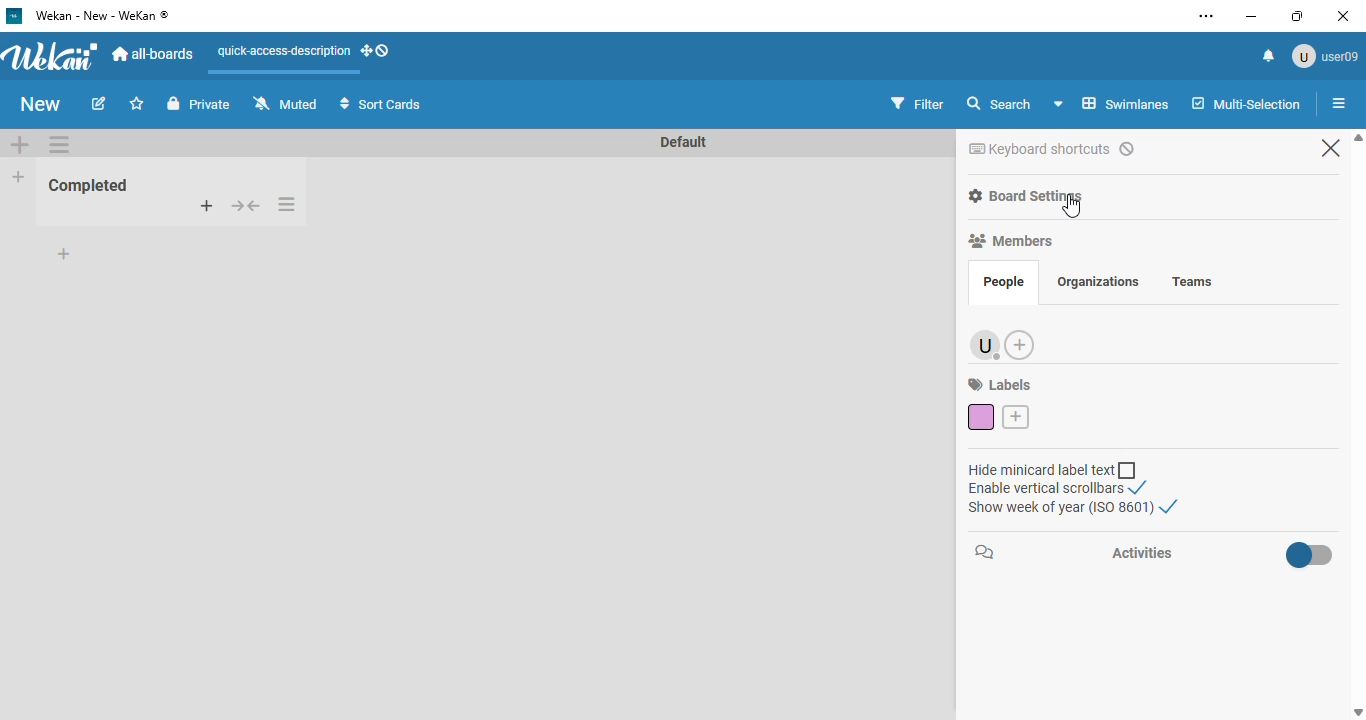 This screenshot has height=720, width=1366. Describe the element at coordinates (998, 385) in the screenshot. I see `labels` at that location.